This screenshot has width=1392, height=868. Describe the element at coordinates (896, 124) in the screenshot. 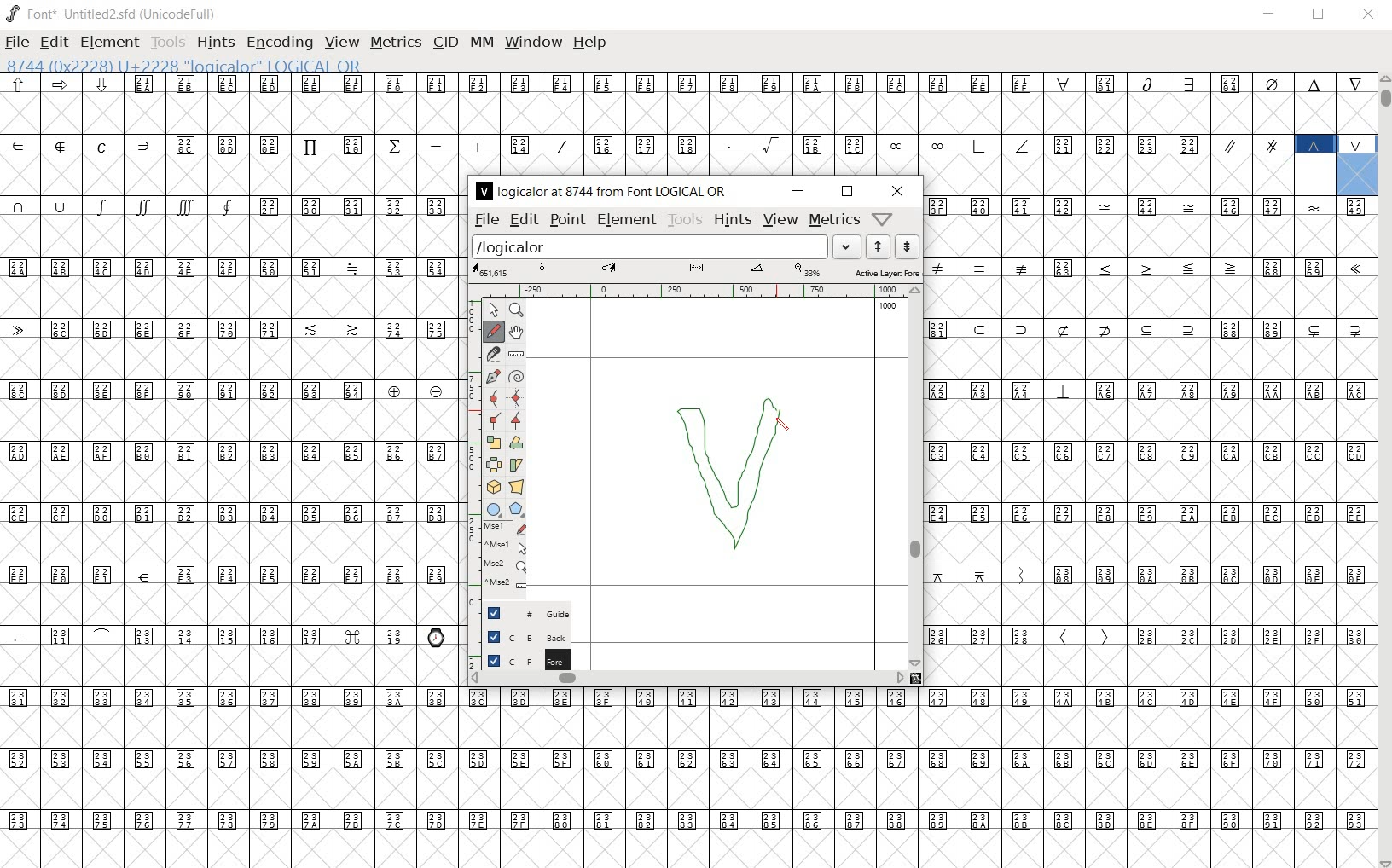

I see `glyph characters` at that location.